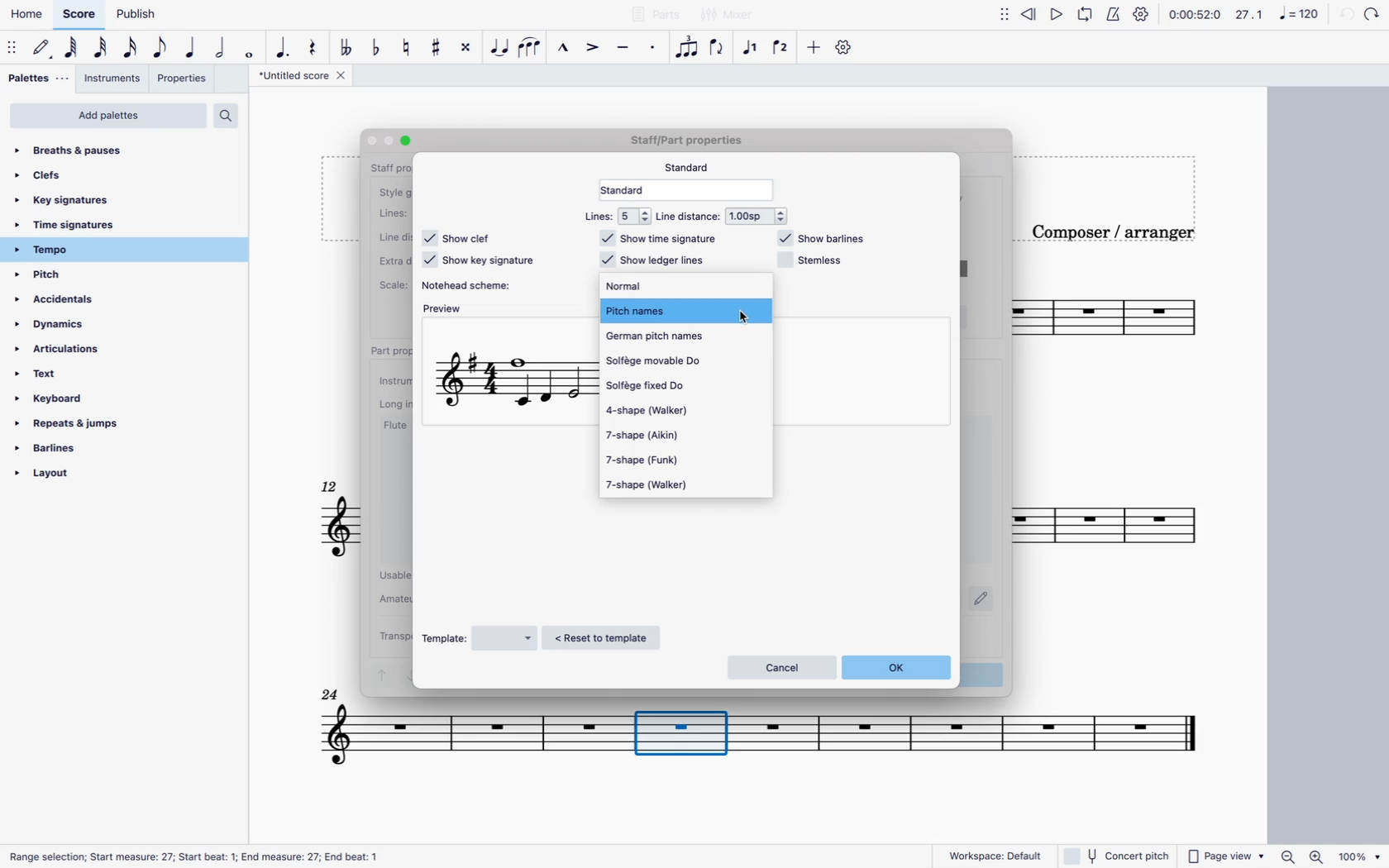 This screenshot has width=1389, height=868. What do you see at coordinates (1329, 855) in the screenshot?
I see `zoom` at bounding box center [1329, 855].